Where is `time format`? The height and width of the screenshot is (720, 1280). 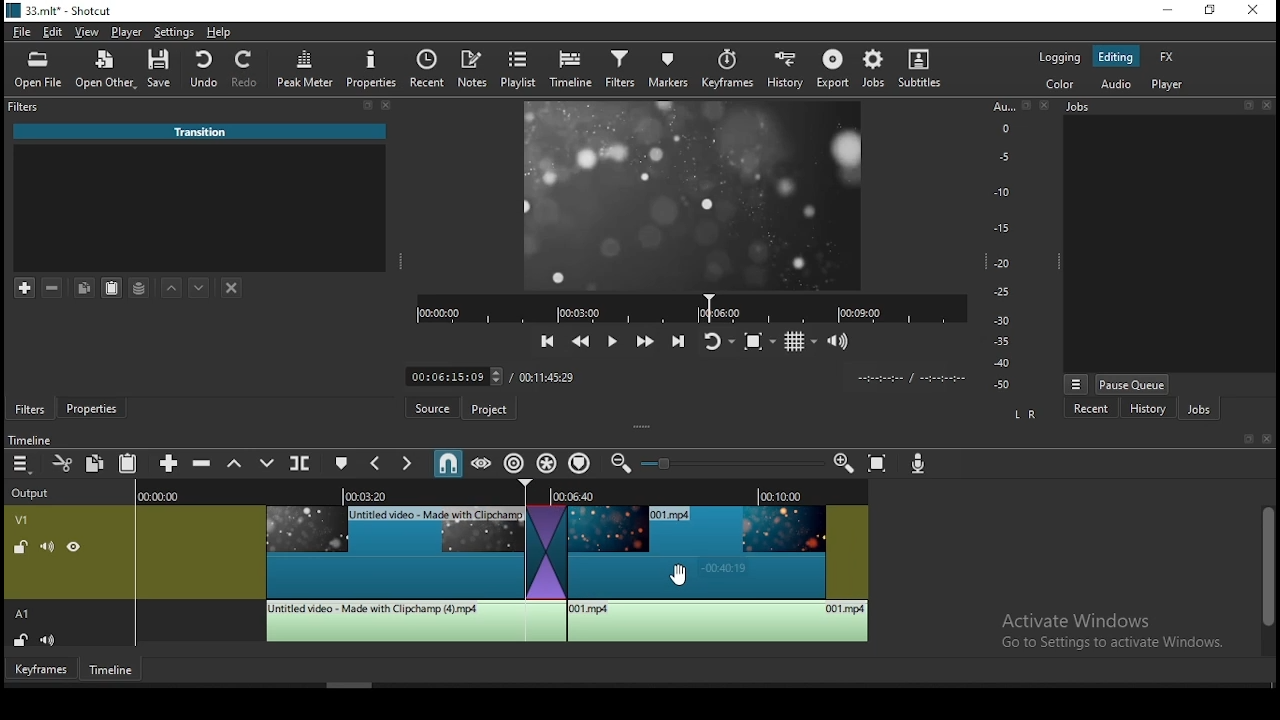 time format is located at coordinates (907, 378).